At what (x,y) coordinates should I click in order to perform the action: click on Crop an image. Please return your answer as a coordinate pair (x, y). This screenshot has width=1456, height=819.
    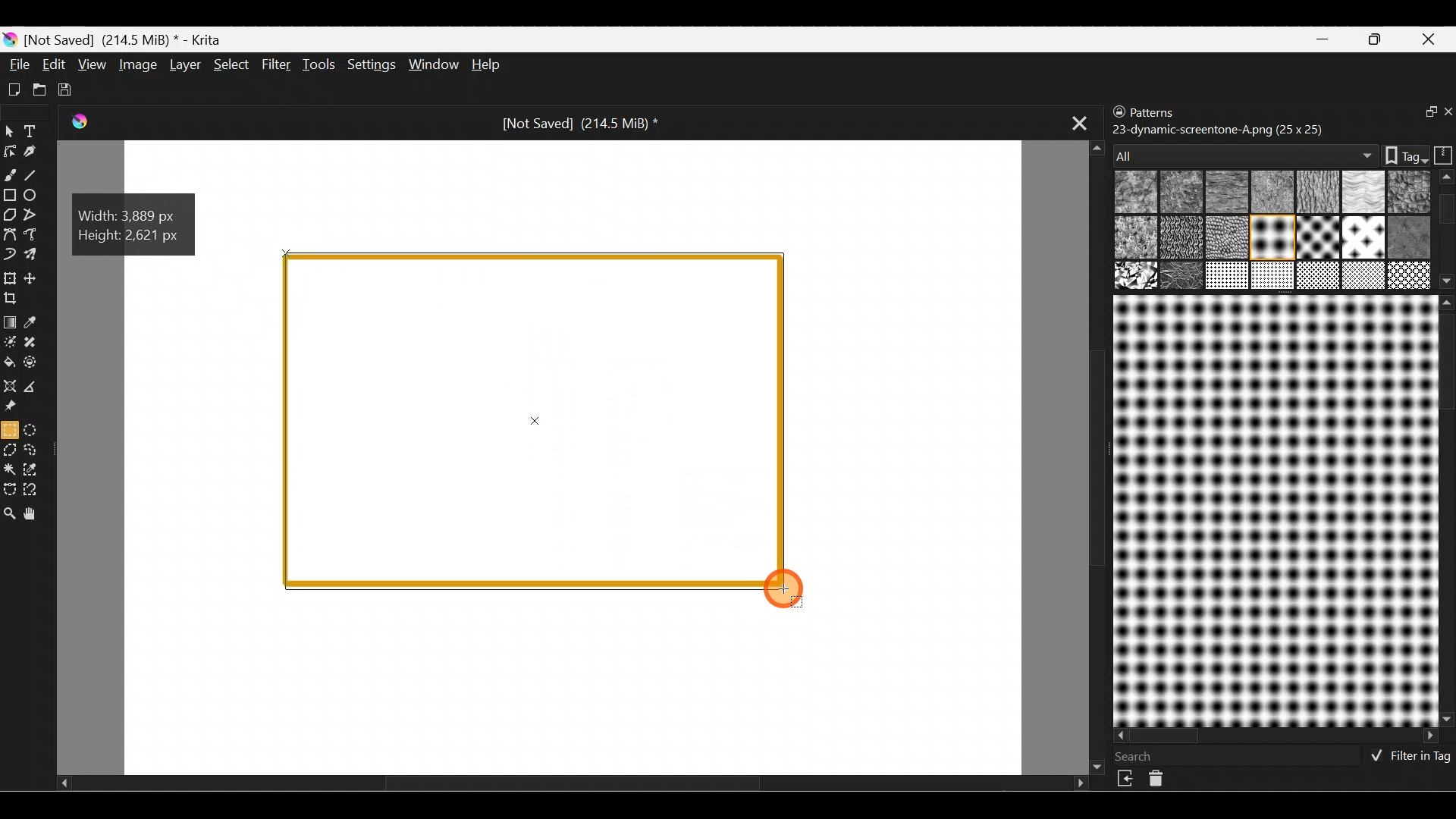
    Looking at the image, I should click on (17, 302).